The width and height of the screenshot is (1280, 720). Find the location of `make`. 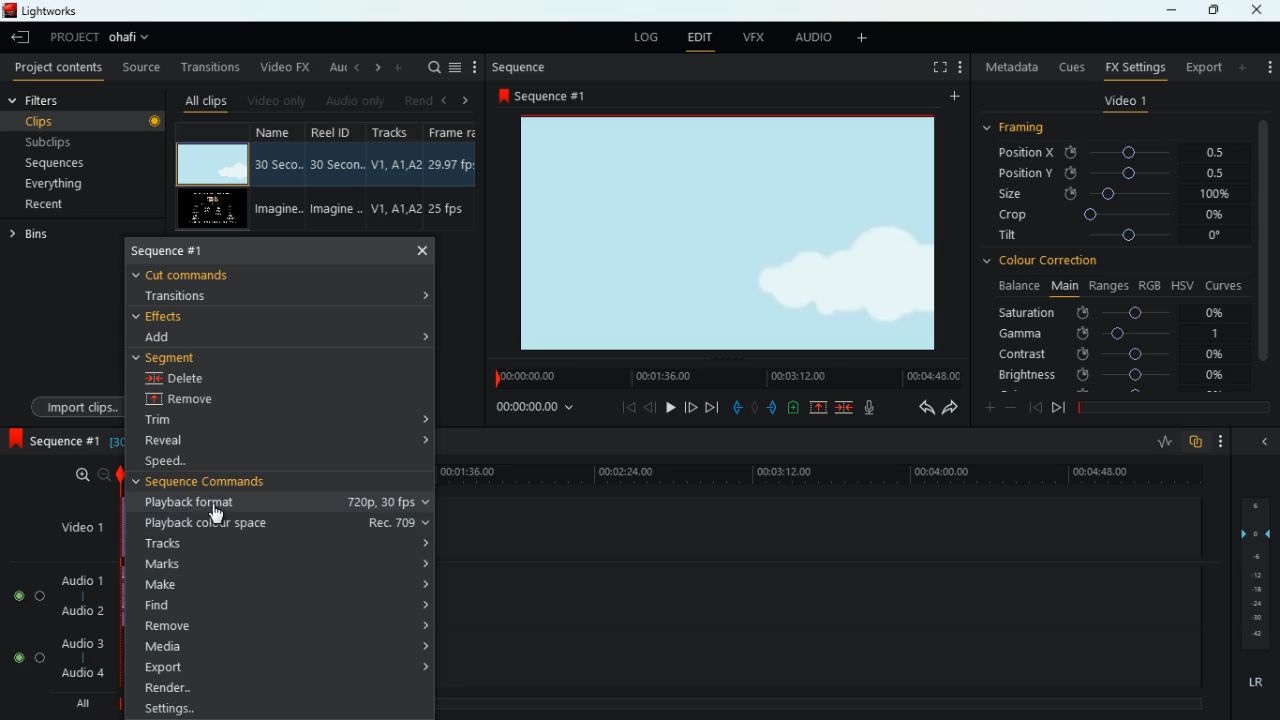

make is located at coordinates (287, 584).